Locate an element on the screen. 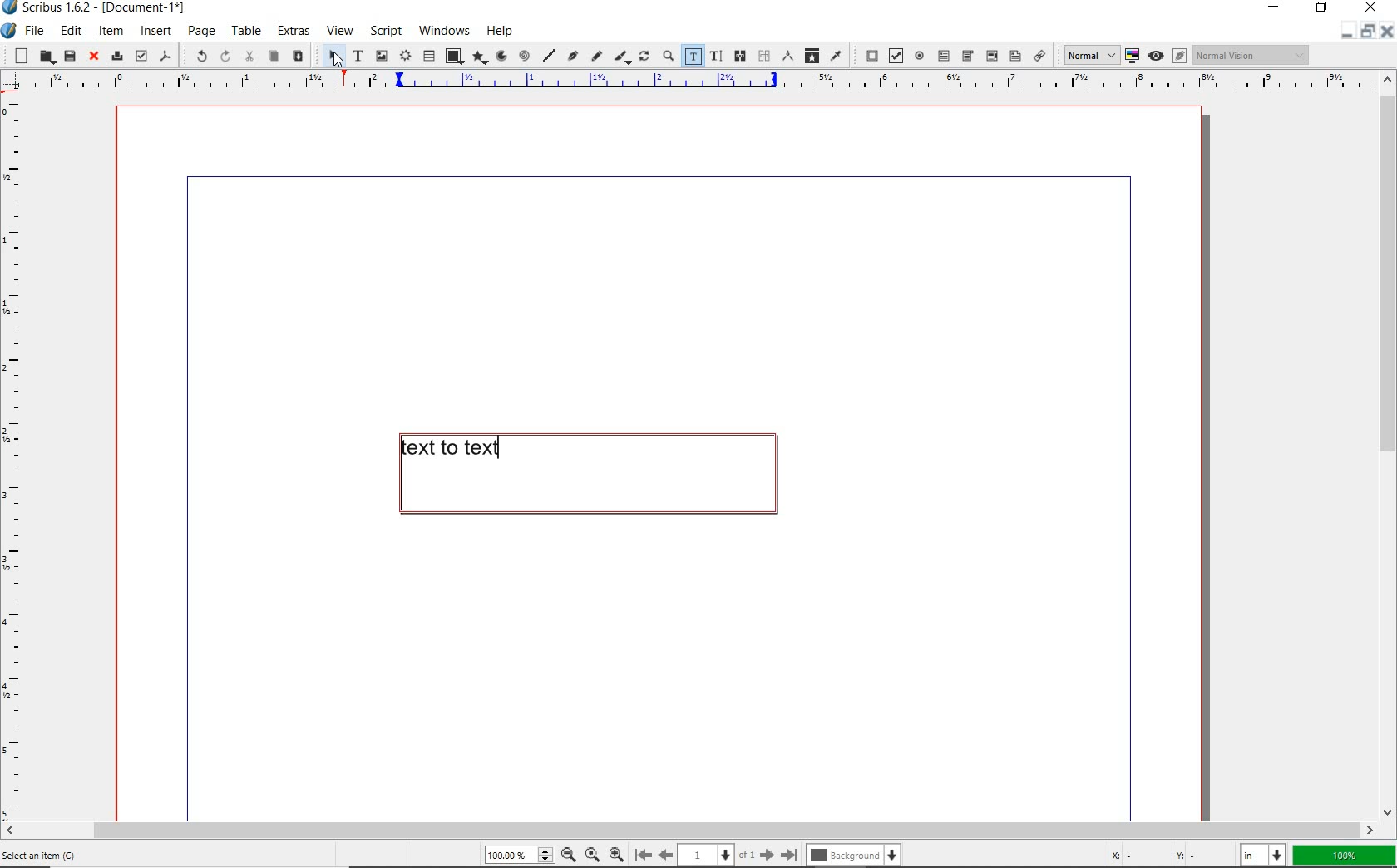 This screenshot has height=868, width=1397. save as pdf is located at coordinates (166, 57).